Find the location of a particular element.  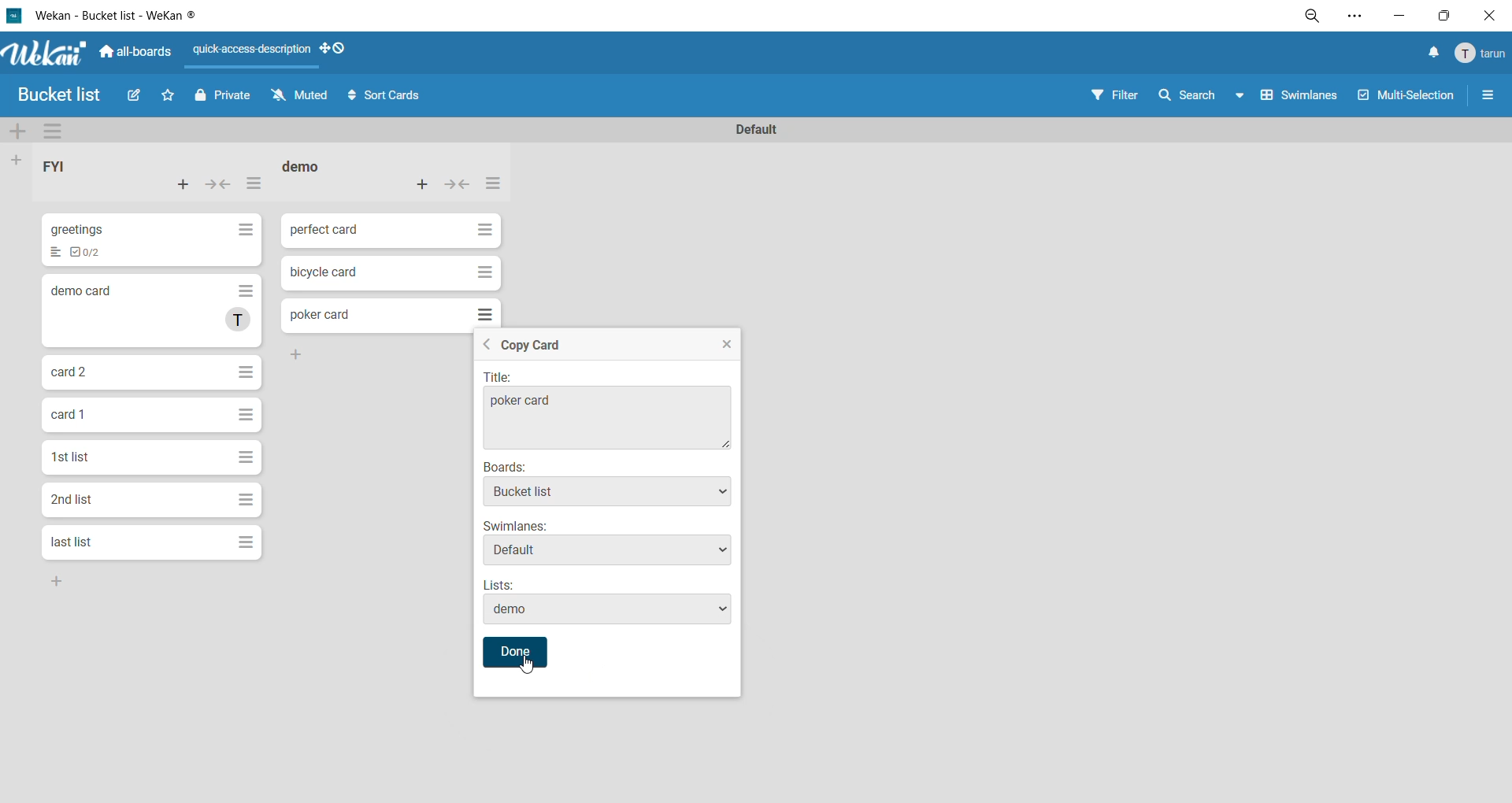

1st list is located at coordinates (70, 458).